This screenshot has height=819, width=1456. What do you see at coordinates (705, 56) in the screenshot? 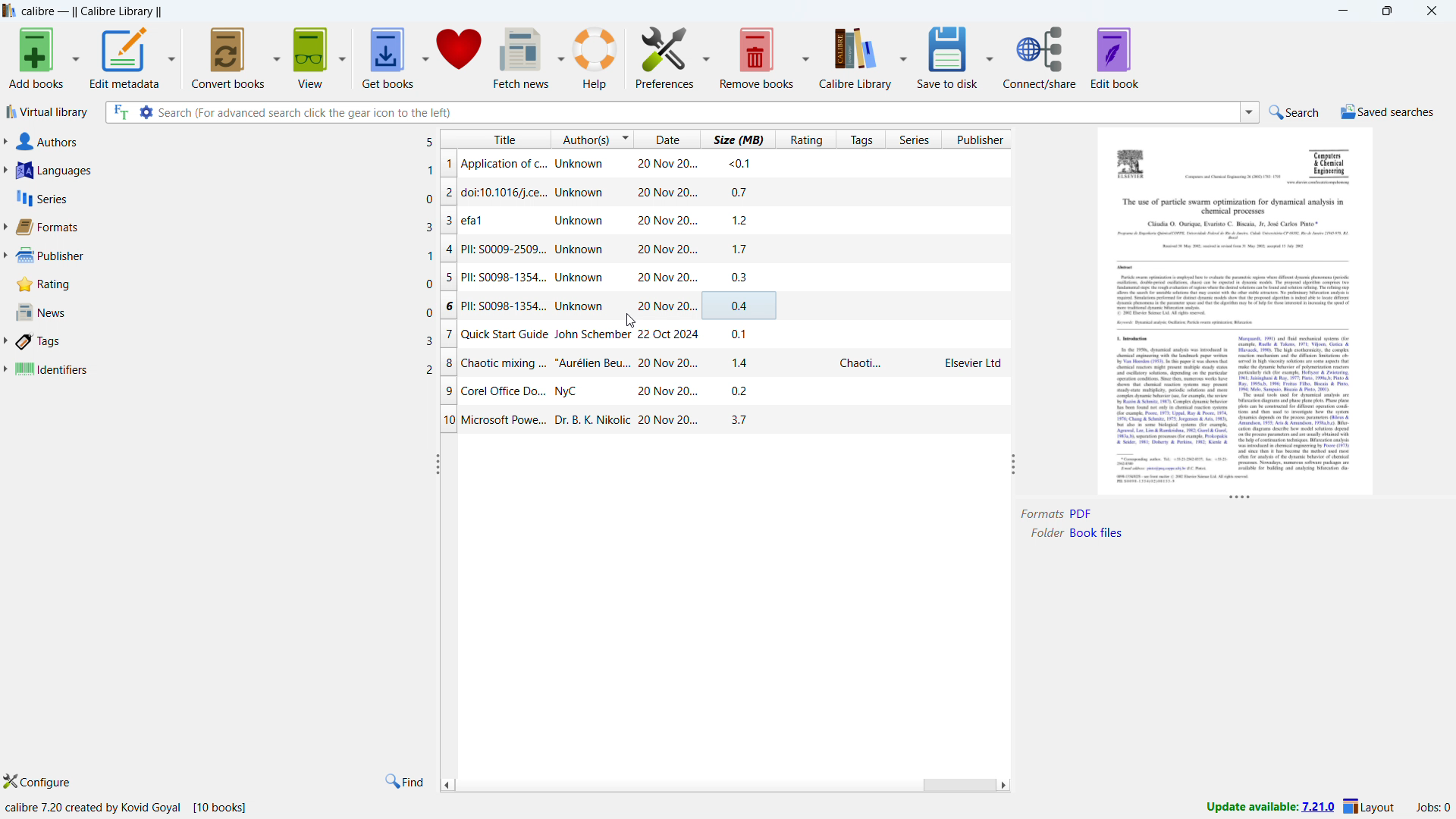
I see `preferences options` at bounding box center [705, 56].